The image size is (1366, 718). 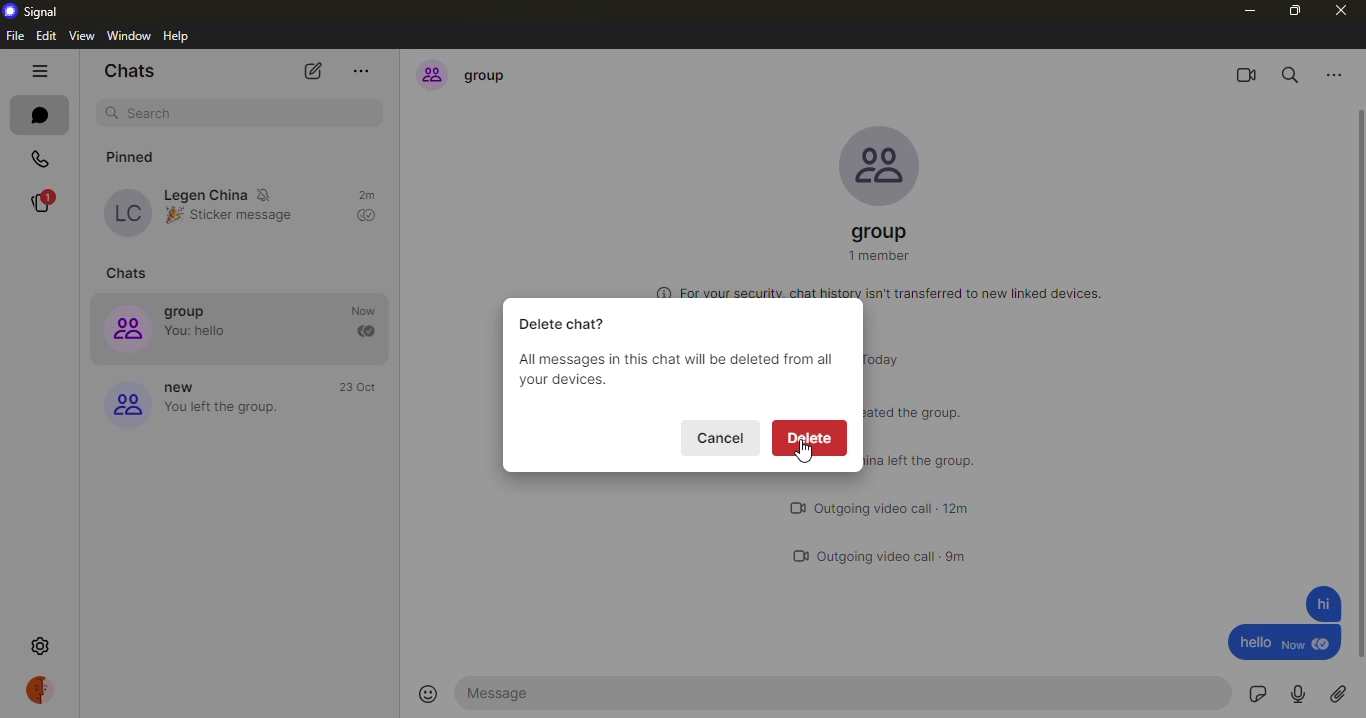 What do you see at coordinates (127, 273) in the screenshot?
I see `chats` at bounding box center [127, 273].